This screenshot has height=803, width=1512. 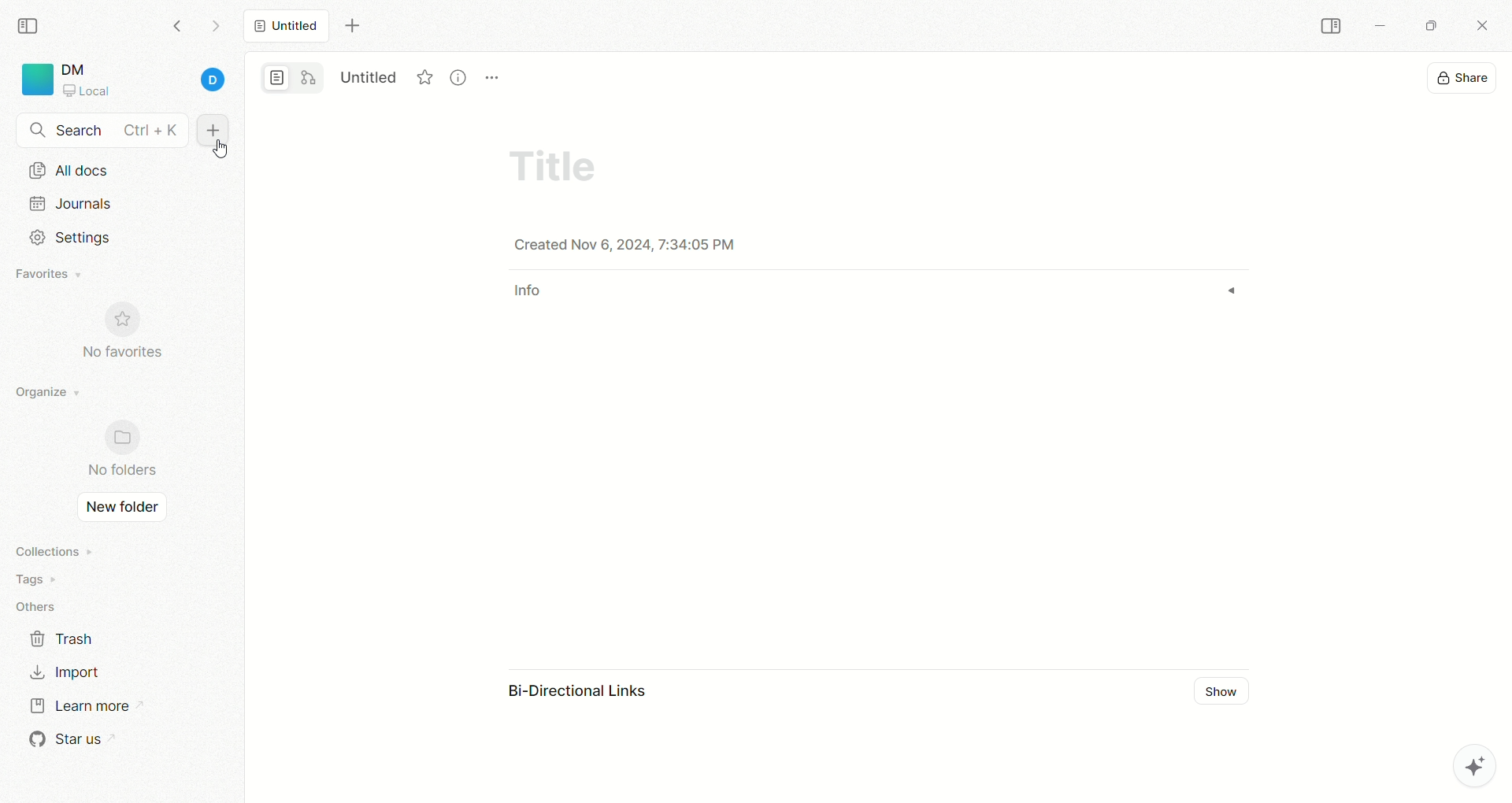 What do you see at coordinates (352, 26) in the screenshot?
I see `new tab` at bounding box center [352, 26].